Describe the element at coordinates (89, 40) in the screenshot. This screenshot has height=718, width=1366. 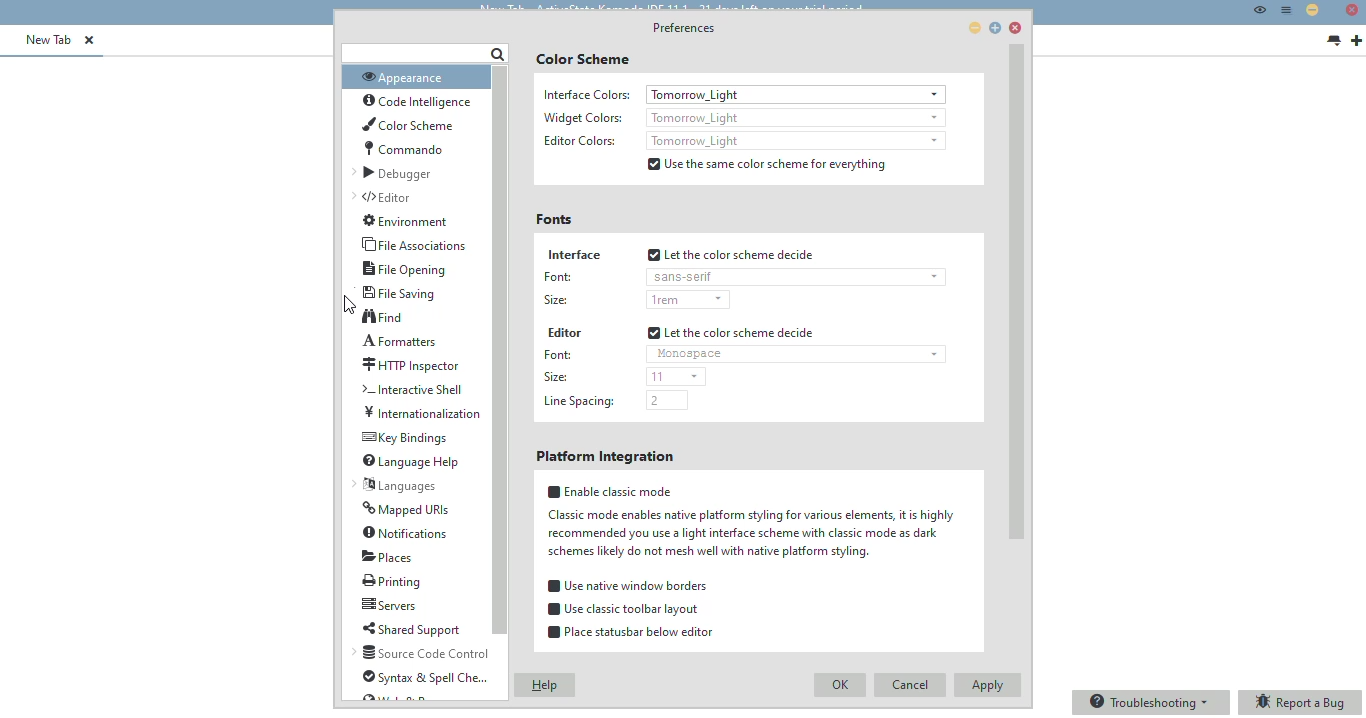
I see `close tab` at that location.